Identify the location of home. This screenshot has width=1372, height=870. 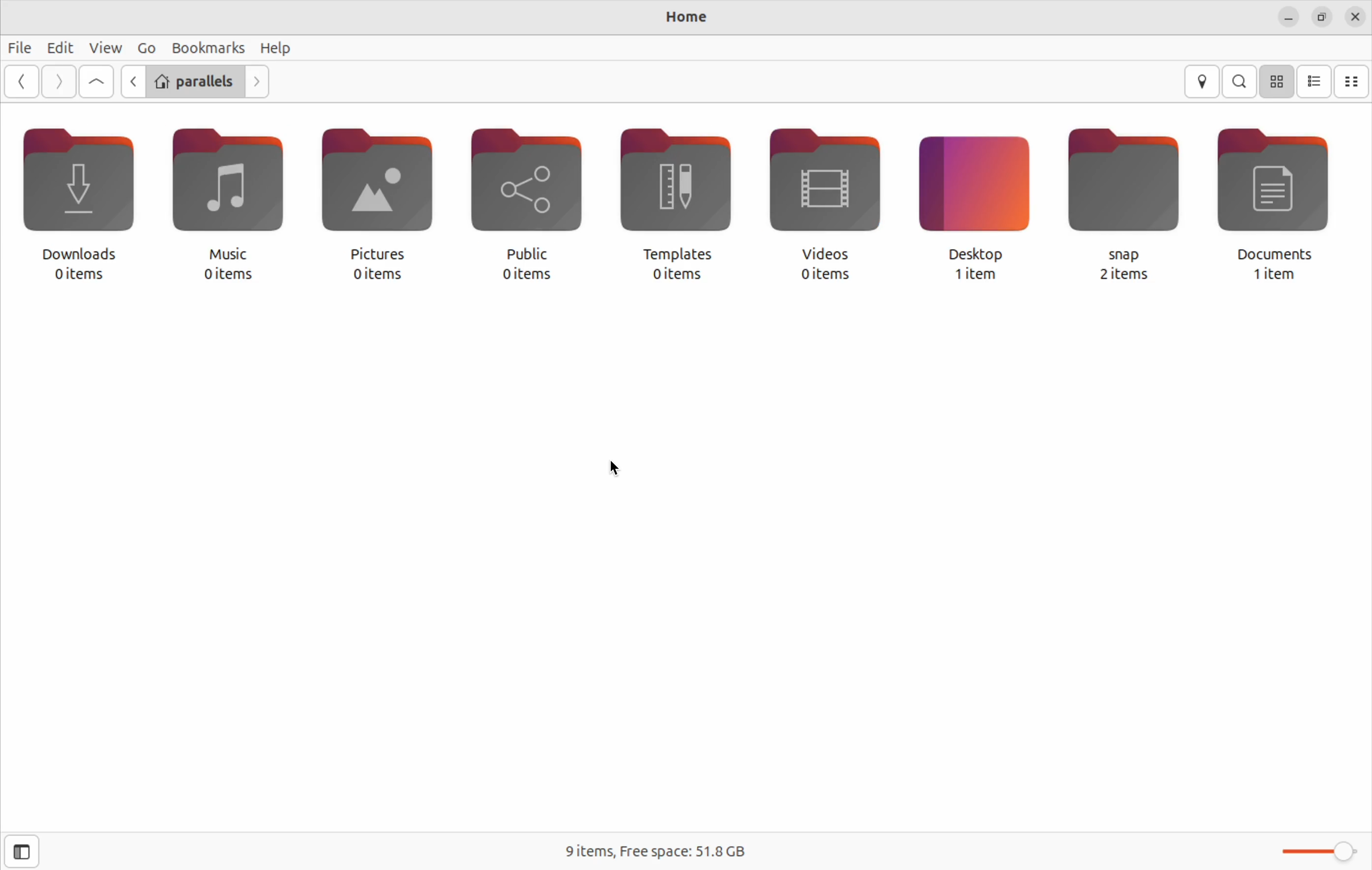
(684, 18).